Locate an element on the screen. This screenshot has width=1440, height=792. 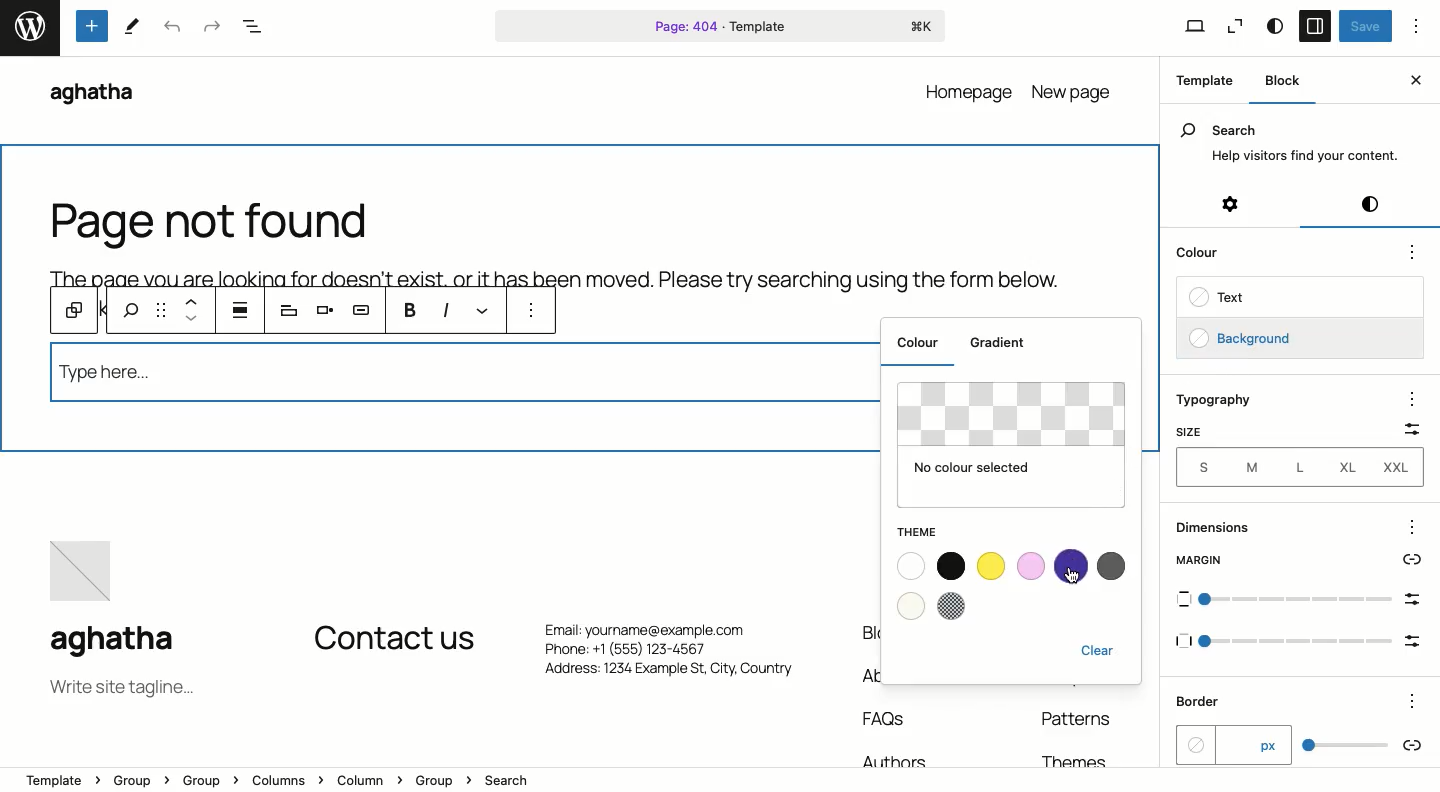
options is located at coordinates (1413, 253).